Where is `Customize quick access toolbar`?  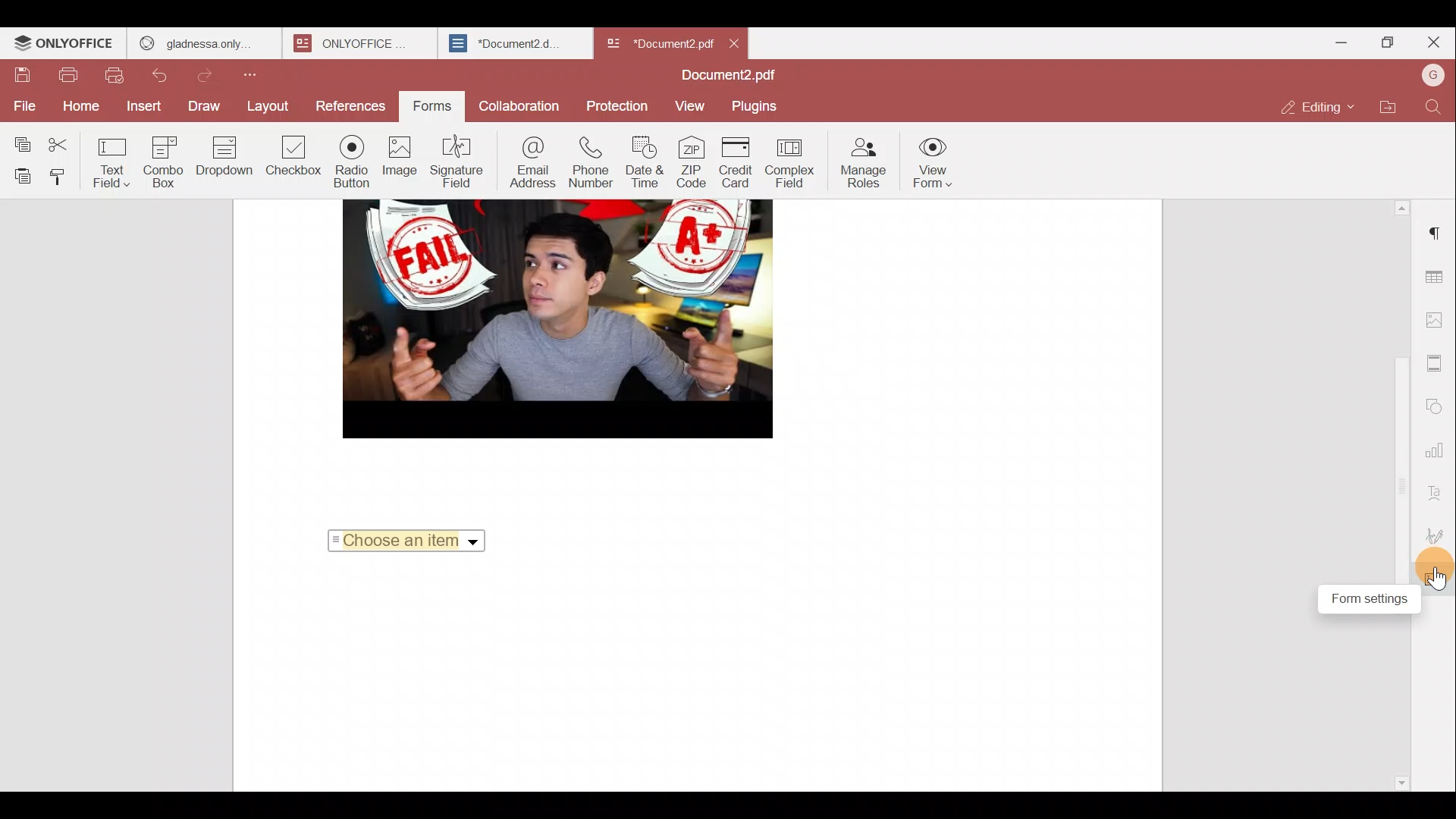 Customize quick access toolbar is located at coordinates (256, 80).